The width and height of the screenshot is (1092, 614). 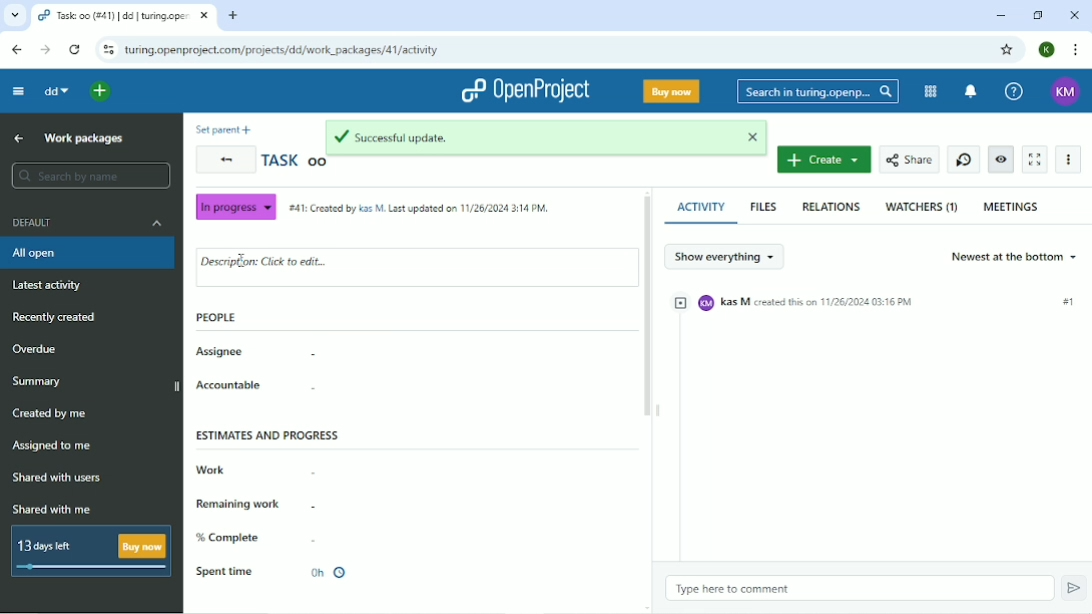 What do you see at coordinates (46, 286) in the screenshot?
I see `Latest activity` at bounding box center [46, 286].